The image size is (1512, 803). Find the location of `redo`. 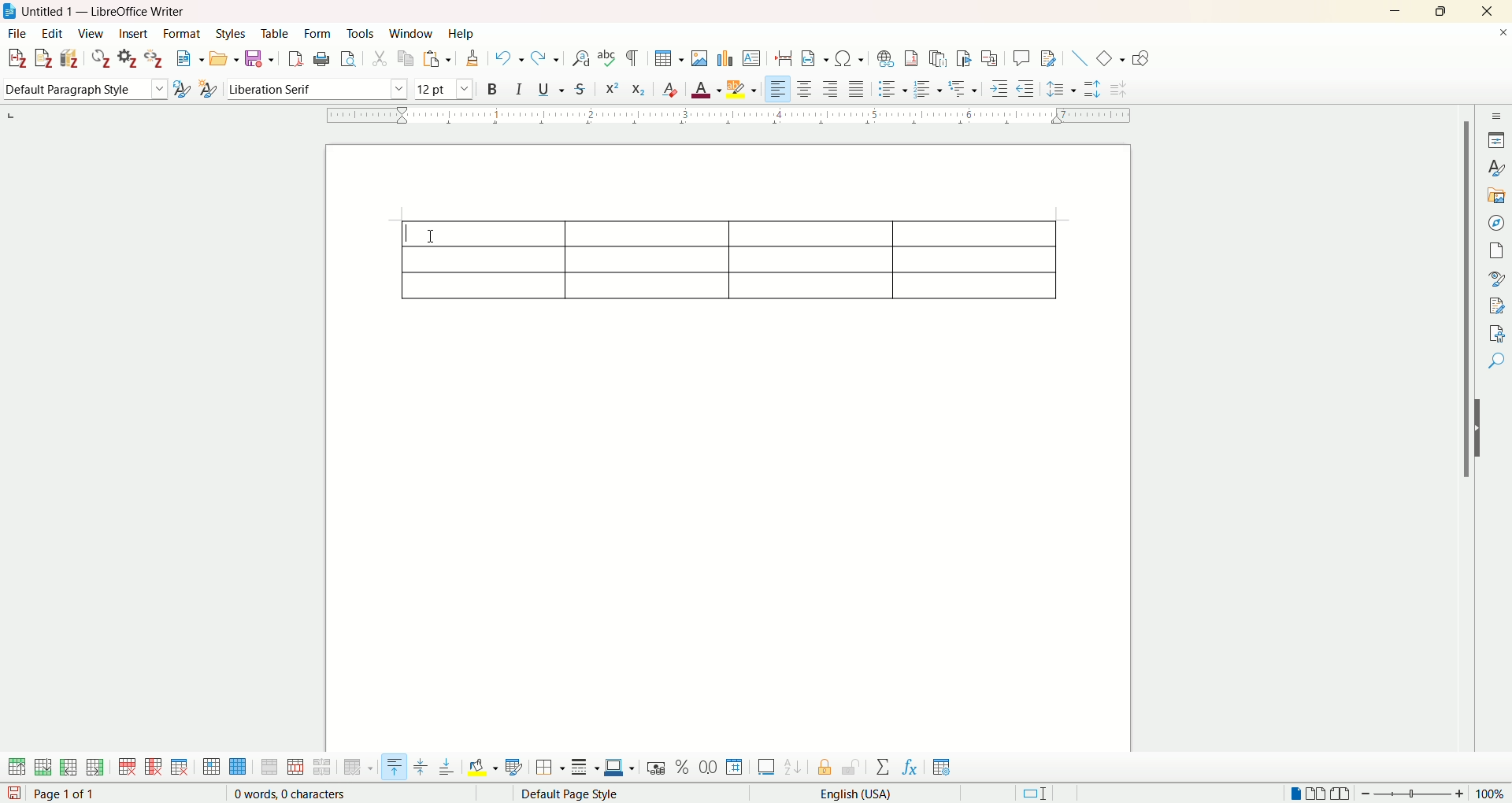

redo is located at coordinates (544, 58).